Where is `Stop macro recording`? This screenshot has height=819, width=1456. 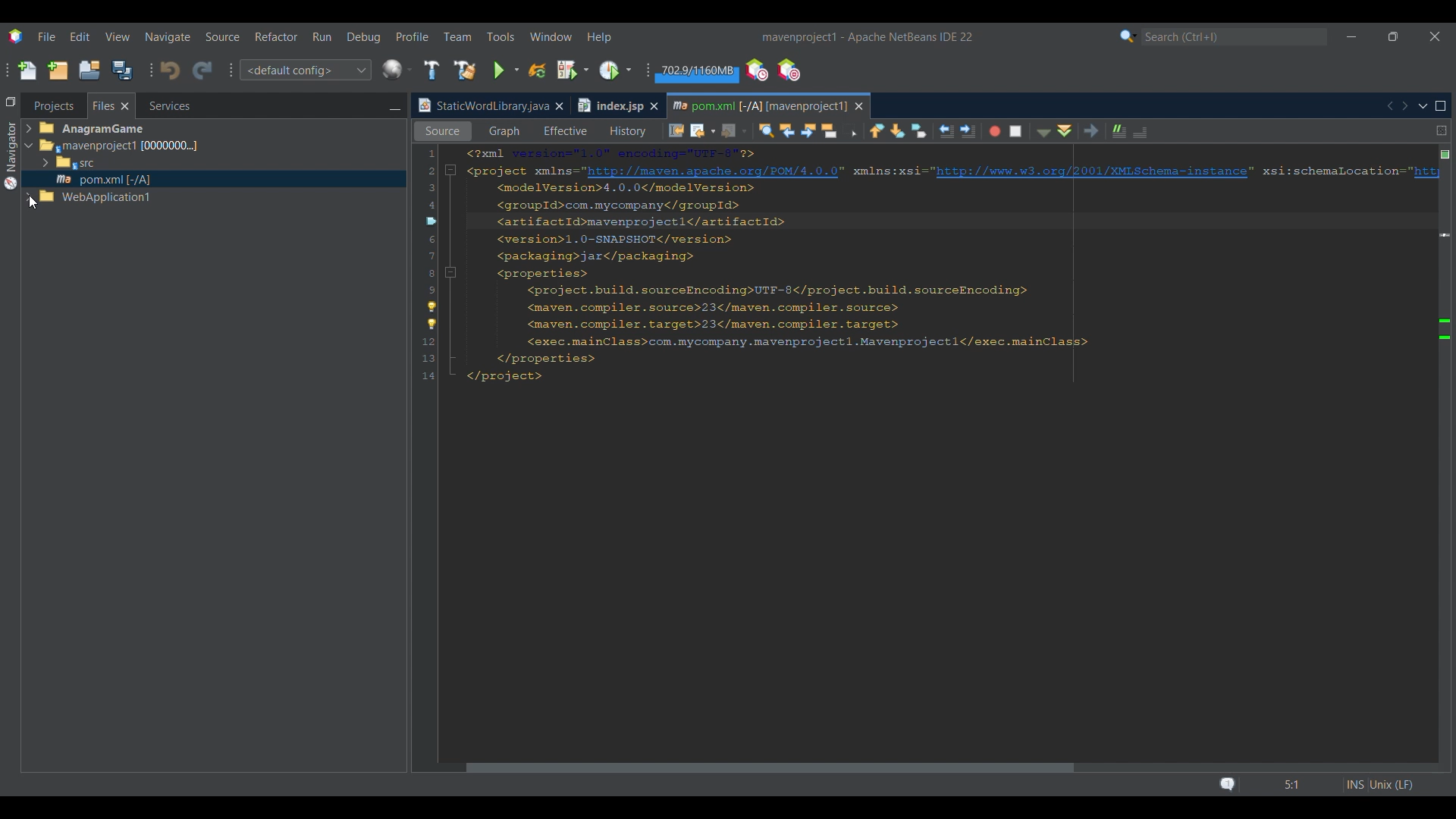 Stop macro recording is located at coordinates (1019, 130).